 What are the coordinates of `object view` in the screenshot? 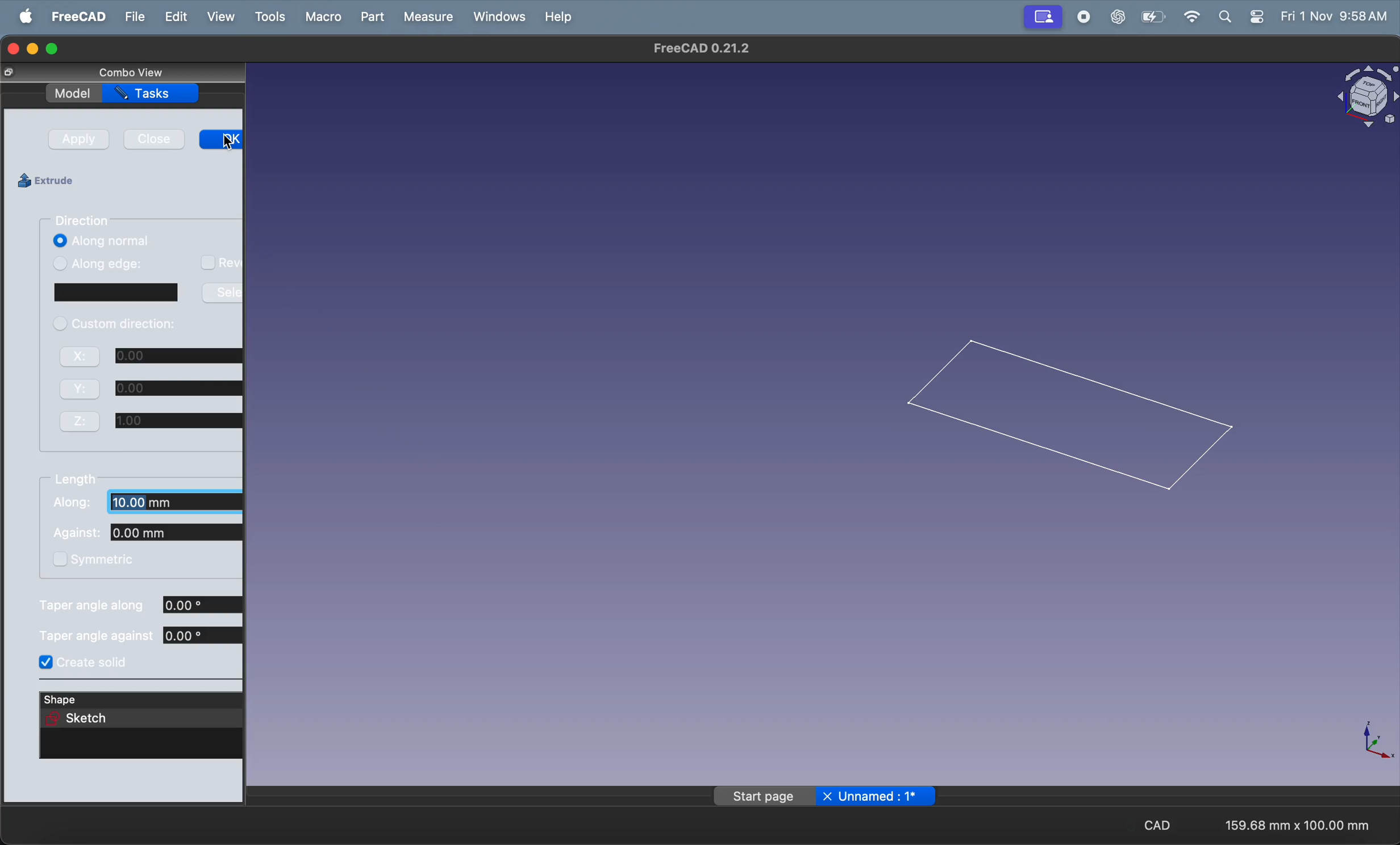 It's located at (1357, 97).